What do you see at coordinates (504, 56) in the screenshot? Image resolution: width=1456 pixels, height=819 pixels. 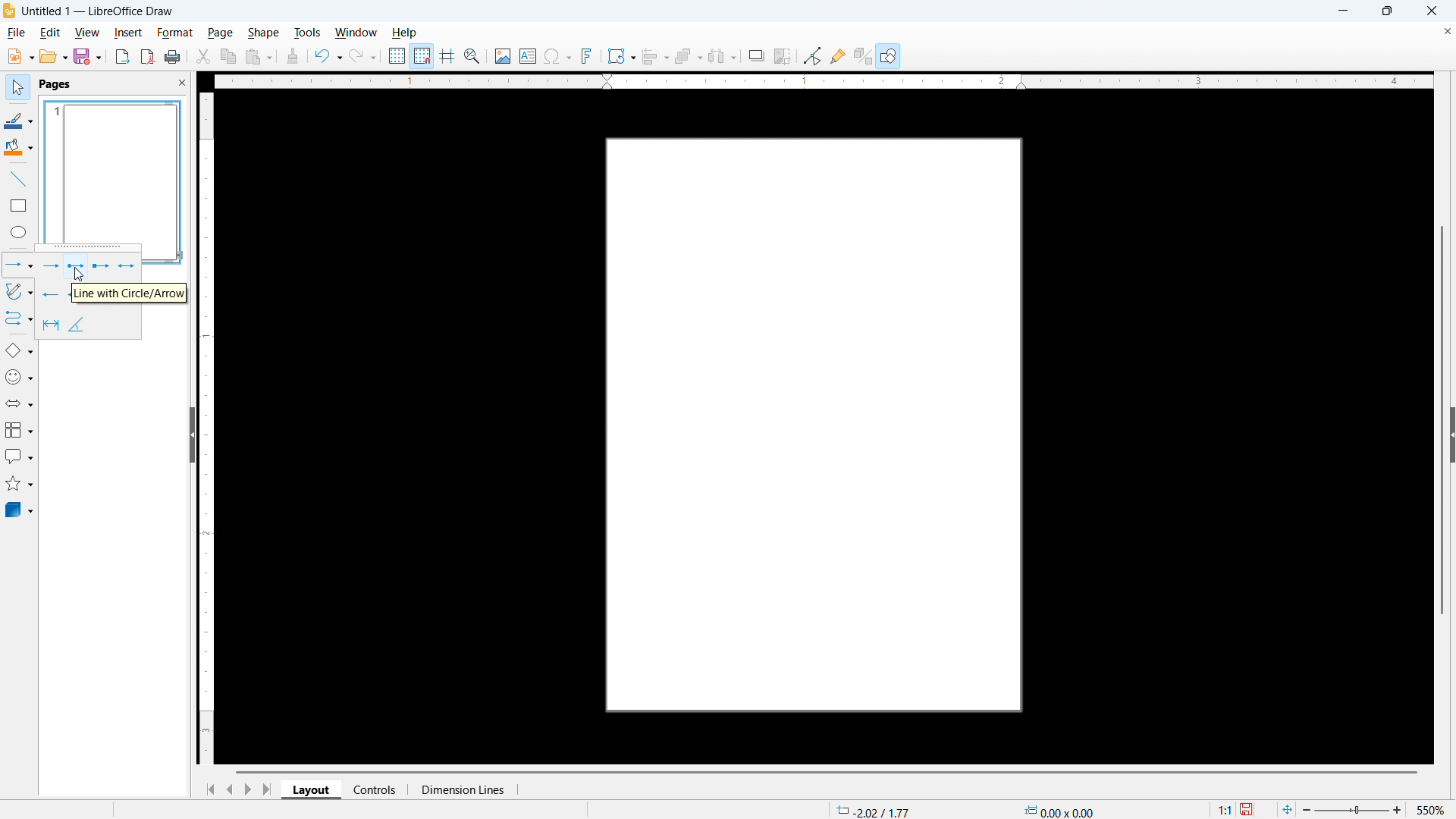 I see `Insert image ` at bounding box center [504, 56].